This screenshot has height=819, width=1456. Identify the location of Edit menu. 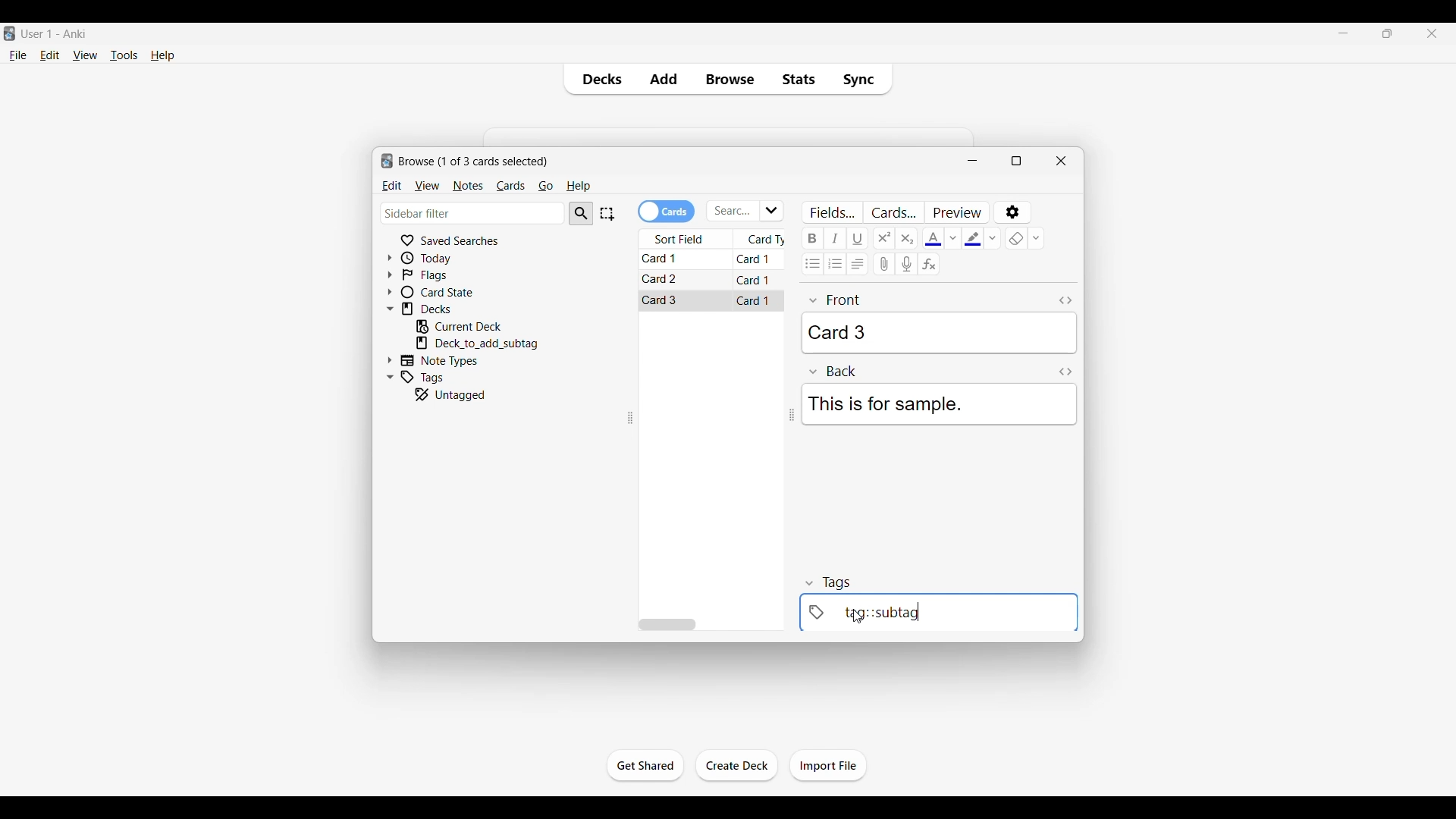
(392, 187).